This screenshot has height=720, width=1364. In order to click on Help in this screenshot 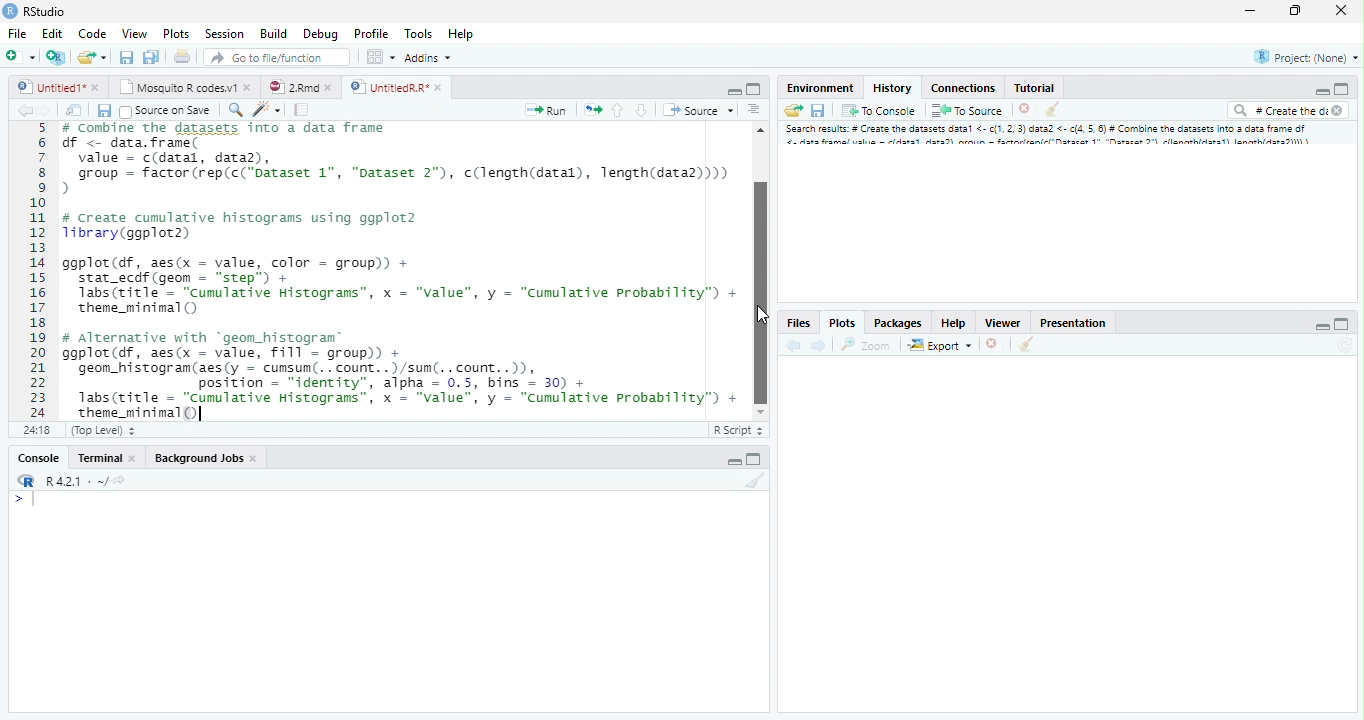, I will do `click(460, 34)`.